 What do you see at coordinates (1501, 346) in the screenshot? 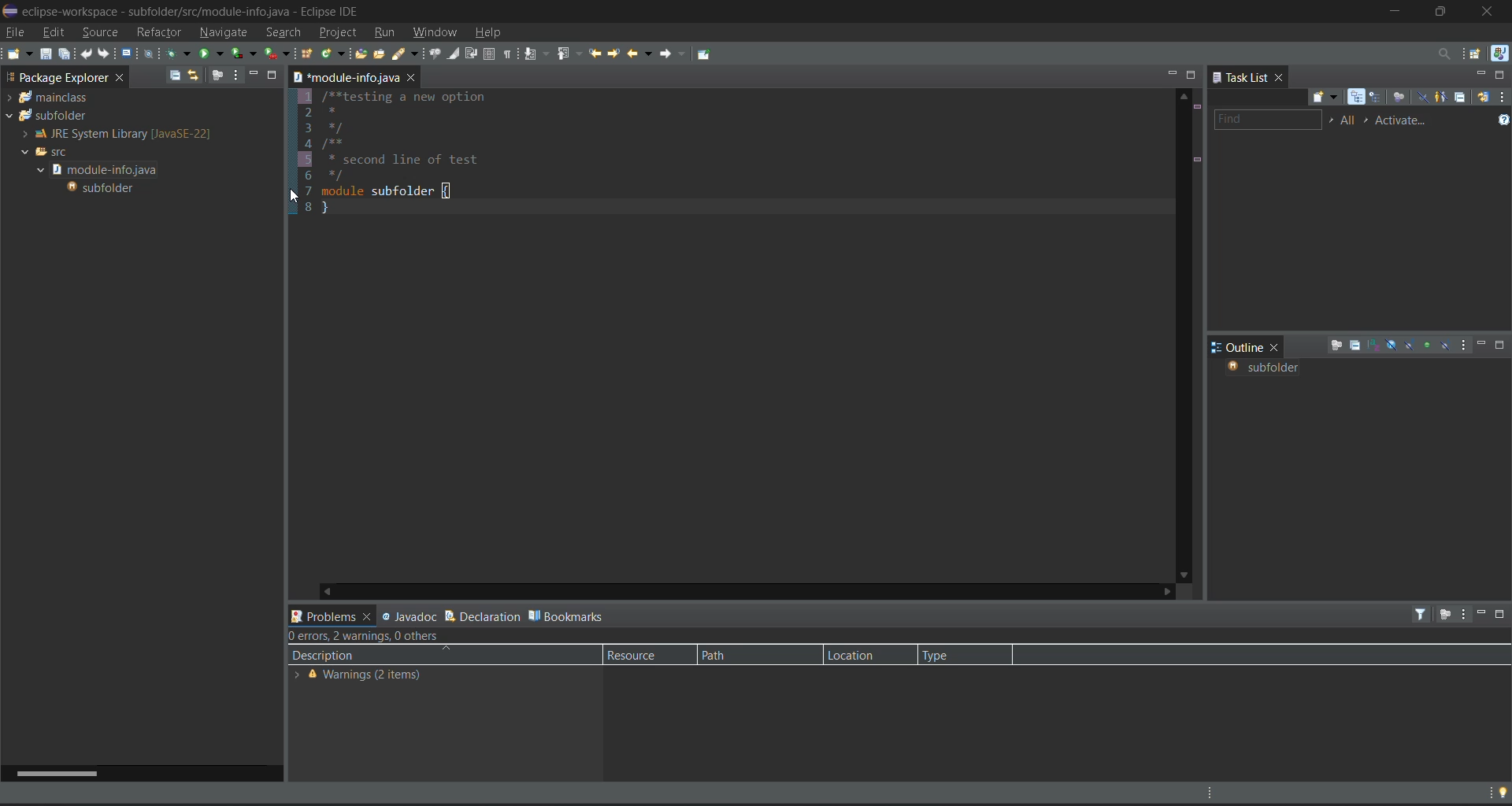
I see `maximize` at bounding box center [1501, 346].